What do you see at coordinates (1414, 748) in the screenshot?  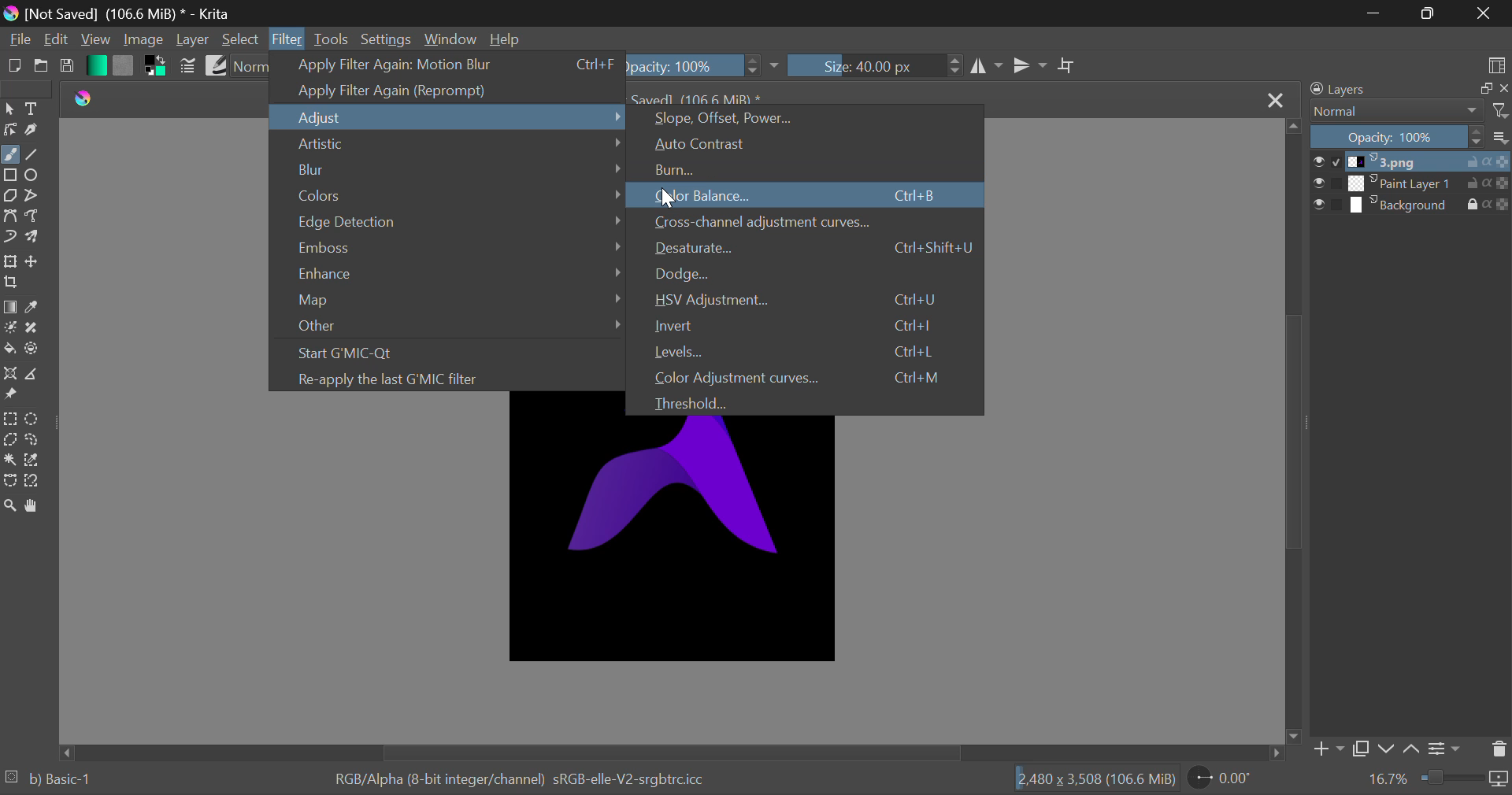 I see `Move Layer Up` at bounding box center [1414, 748].